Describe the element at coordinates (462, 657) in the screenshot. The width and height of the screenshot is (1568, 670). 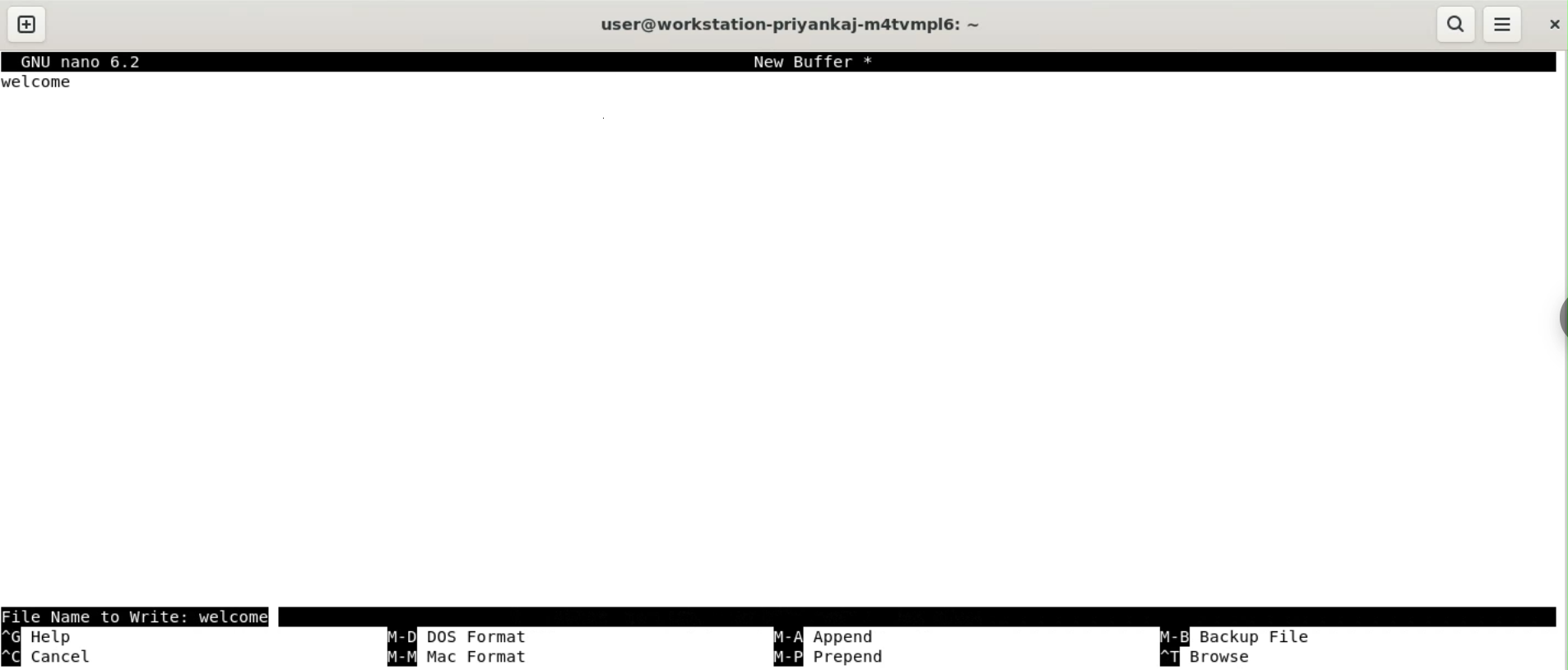
I see `mac format` at that location.